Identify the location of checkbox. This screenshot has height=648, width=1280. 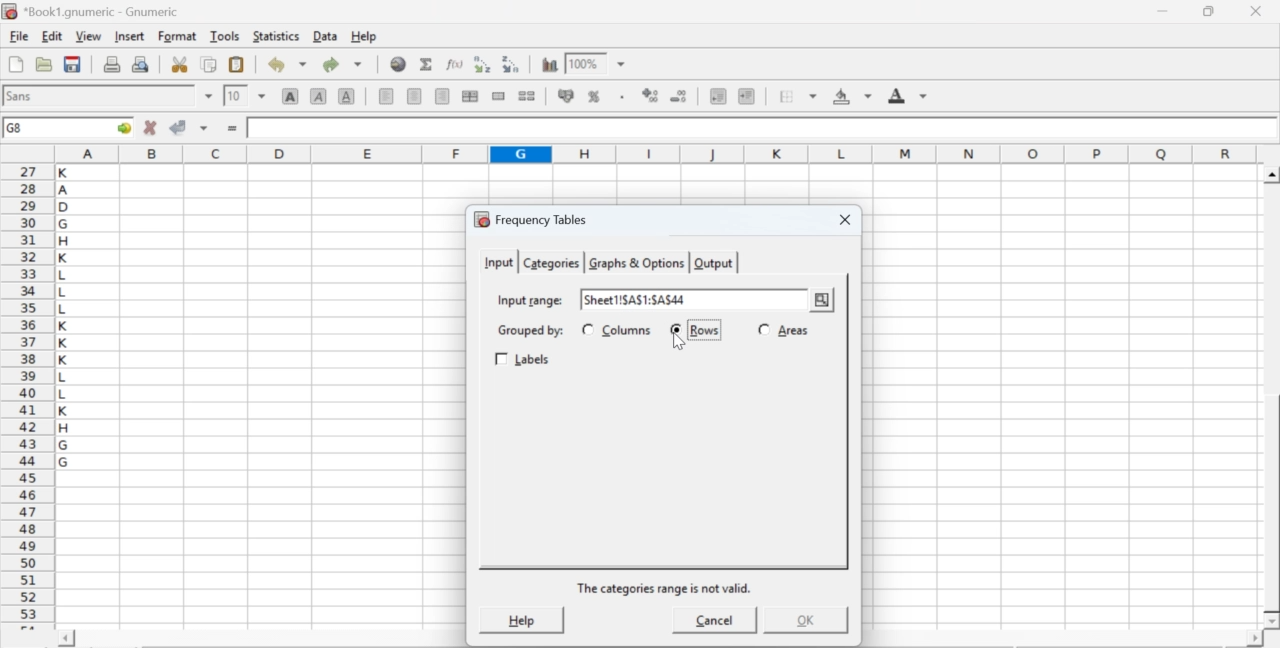
(764, 328).